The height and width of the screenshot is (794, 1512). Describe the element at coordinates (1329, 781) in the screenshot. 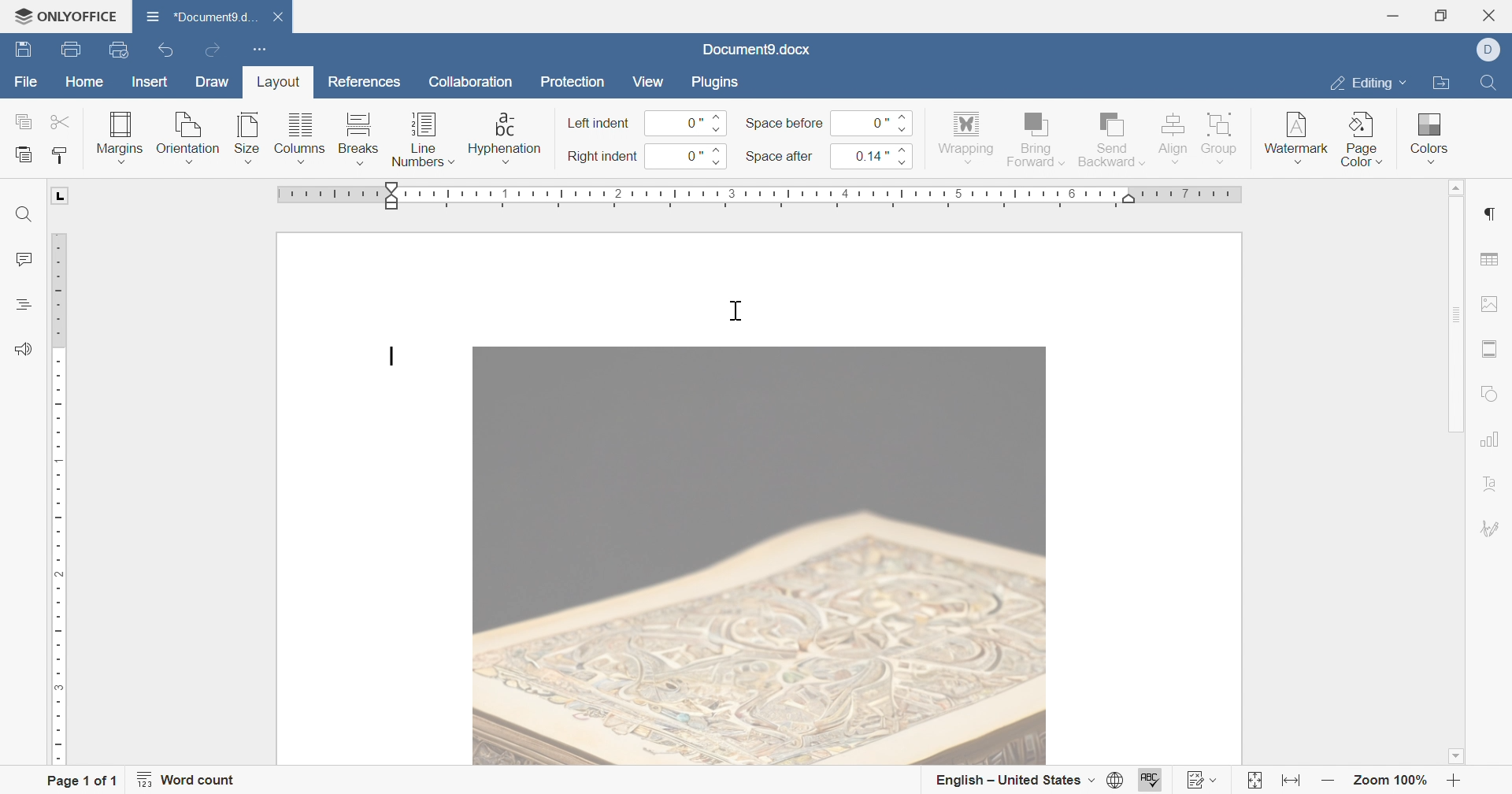

I see `zoom out` at that location.